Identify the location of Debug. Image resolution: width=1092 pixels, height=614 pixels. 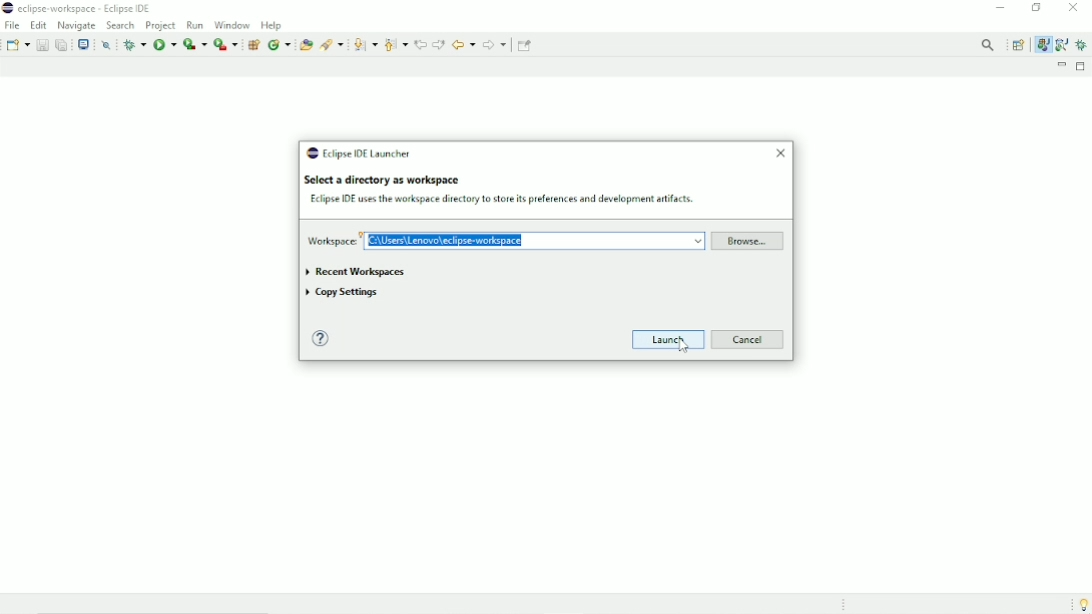
(1083, 46).